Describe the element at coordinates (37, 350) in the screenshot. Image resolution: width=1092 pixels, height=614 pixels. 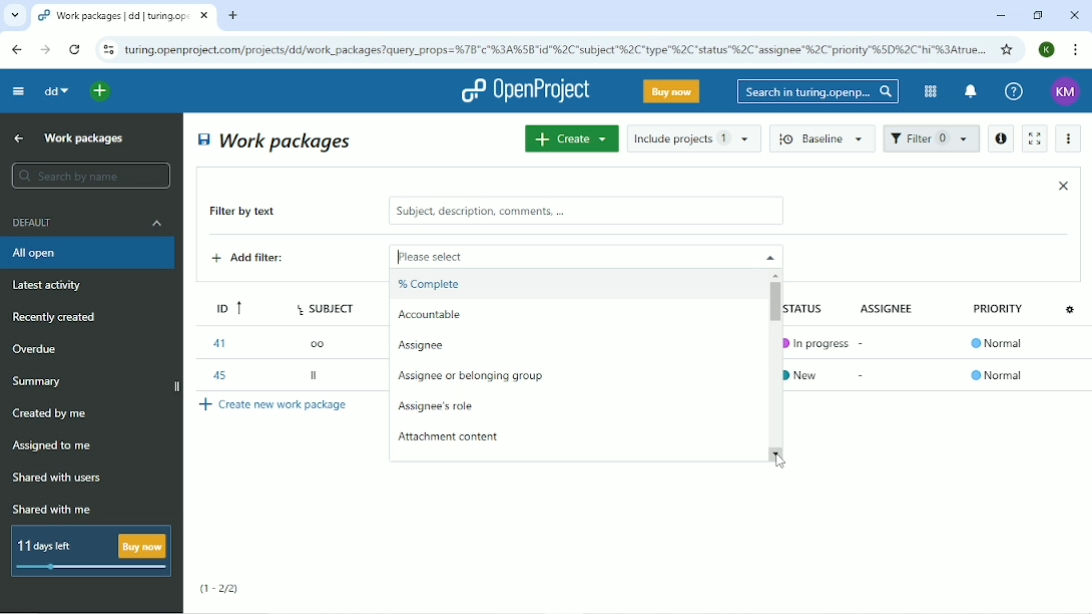
I see `Overdue` at that location.